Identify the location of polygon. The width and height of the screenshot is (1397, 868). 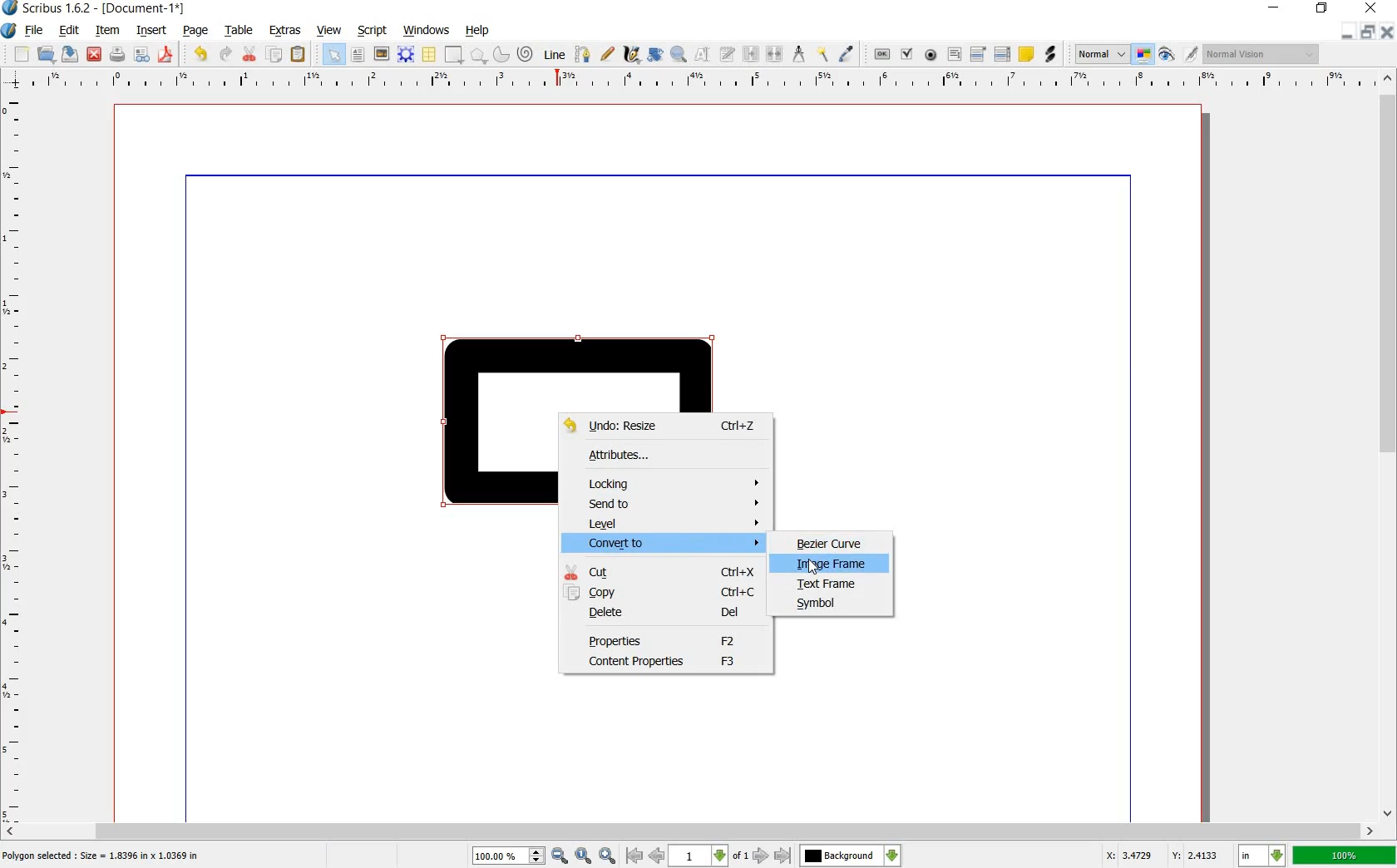
(478, 55).